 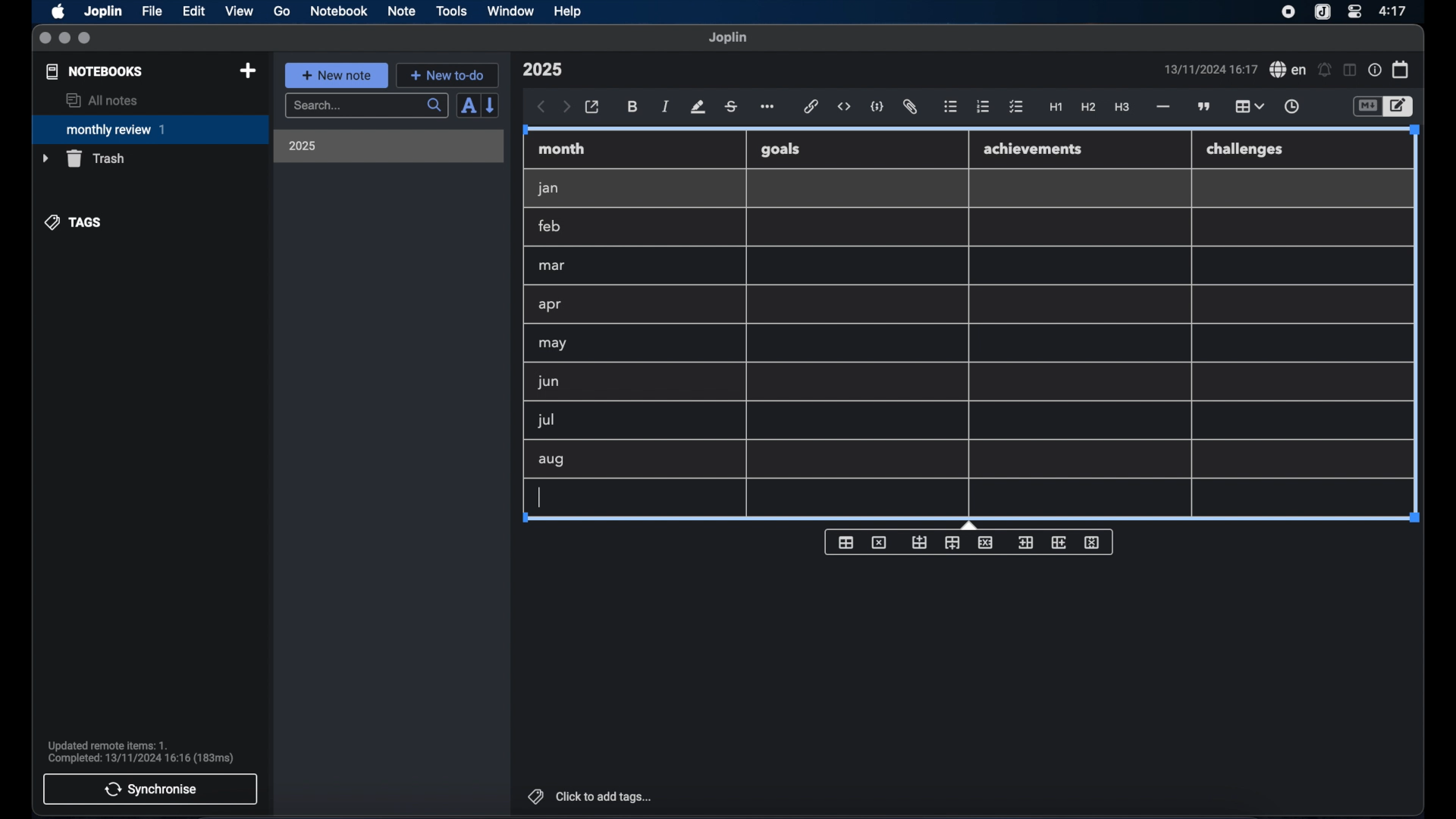 I want to click on highlight, so click(x=698, y=107).